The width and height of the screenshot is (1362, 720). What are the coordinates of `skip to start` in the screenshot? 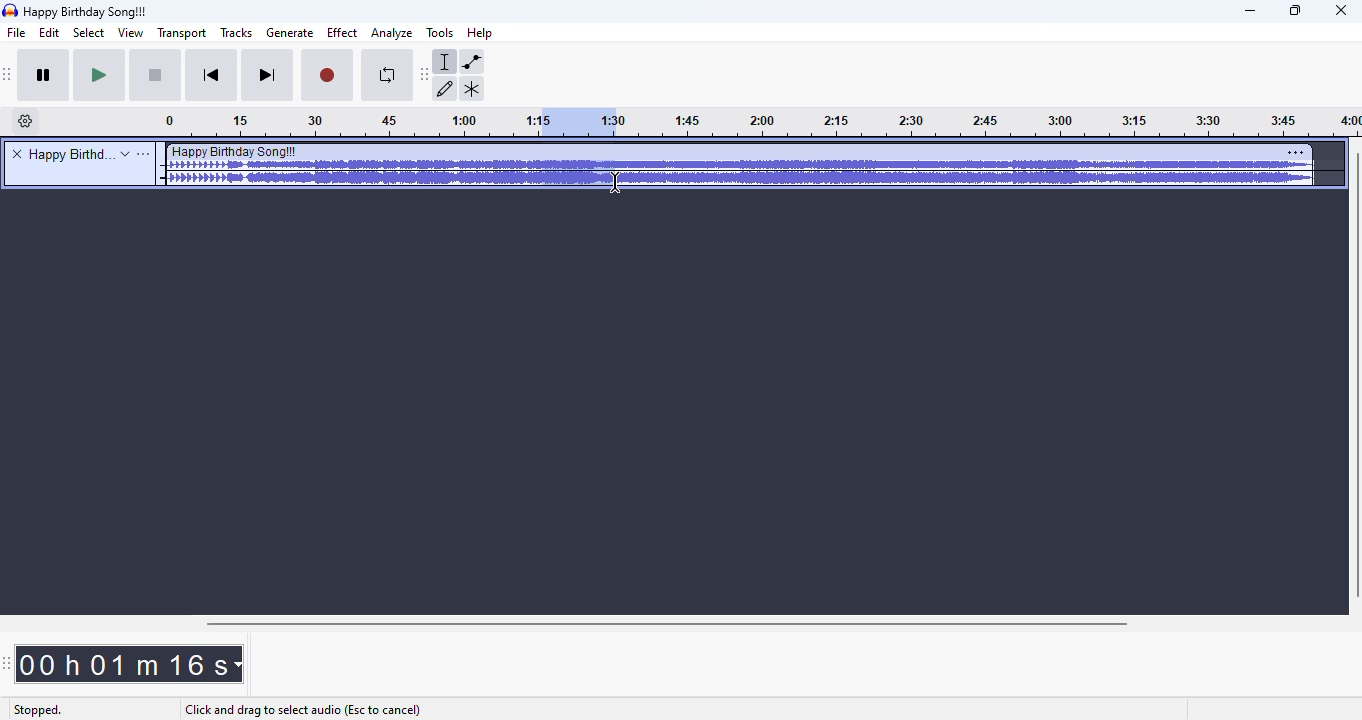 It's located at (214, 76).